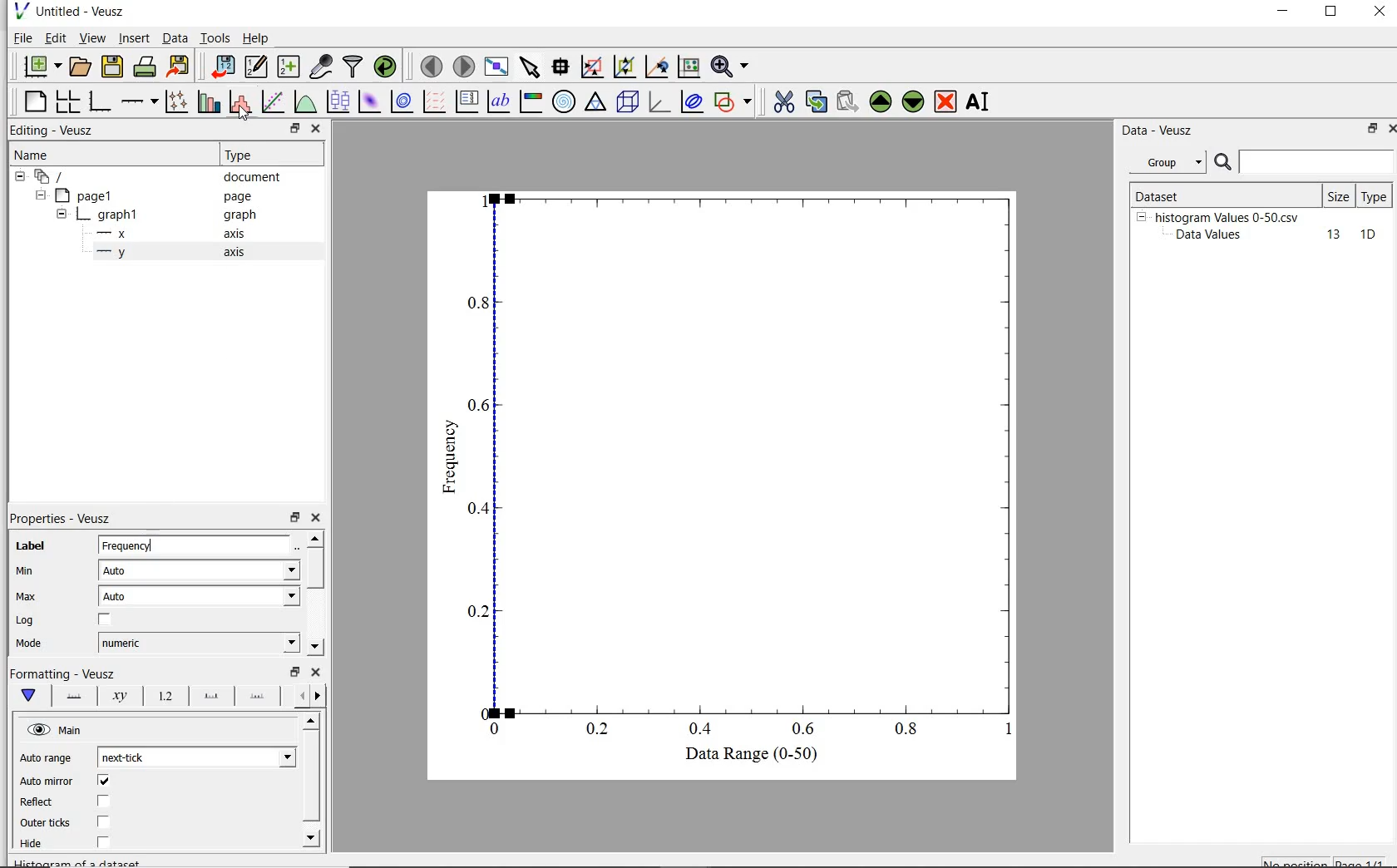  I want to click on ‘Auto mirror, so click(47, 780).